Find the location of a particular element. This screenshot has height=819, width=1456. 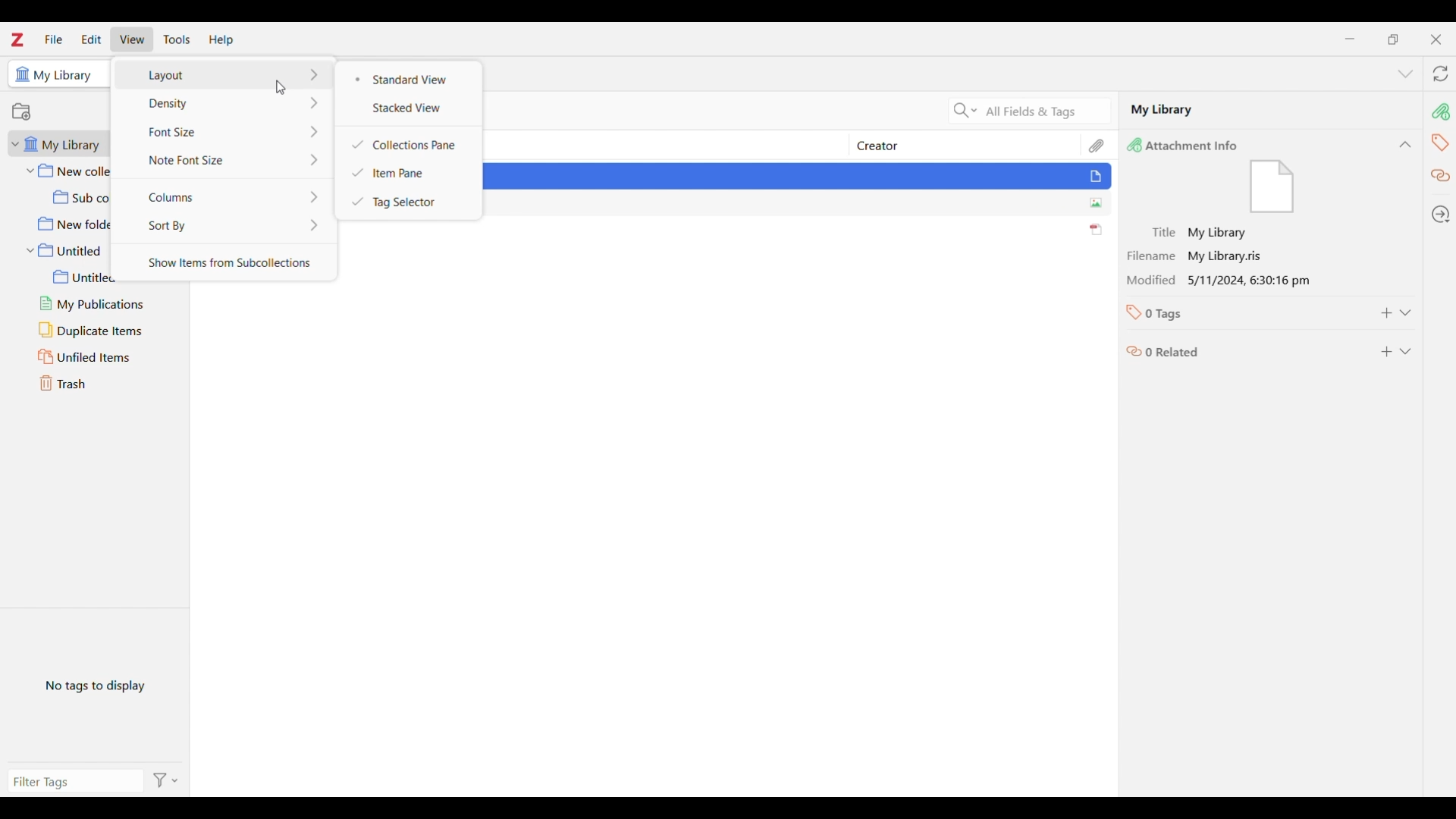

Help menu is located at coordinates (221, 41).